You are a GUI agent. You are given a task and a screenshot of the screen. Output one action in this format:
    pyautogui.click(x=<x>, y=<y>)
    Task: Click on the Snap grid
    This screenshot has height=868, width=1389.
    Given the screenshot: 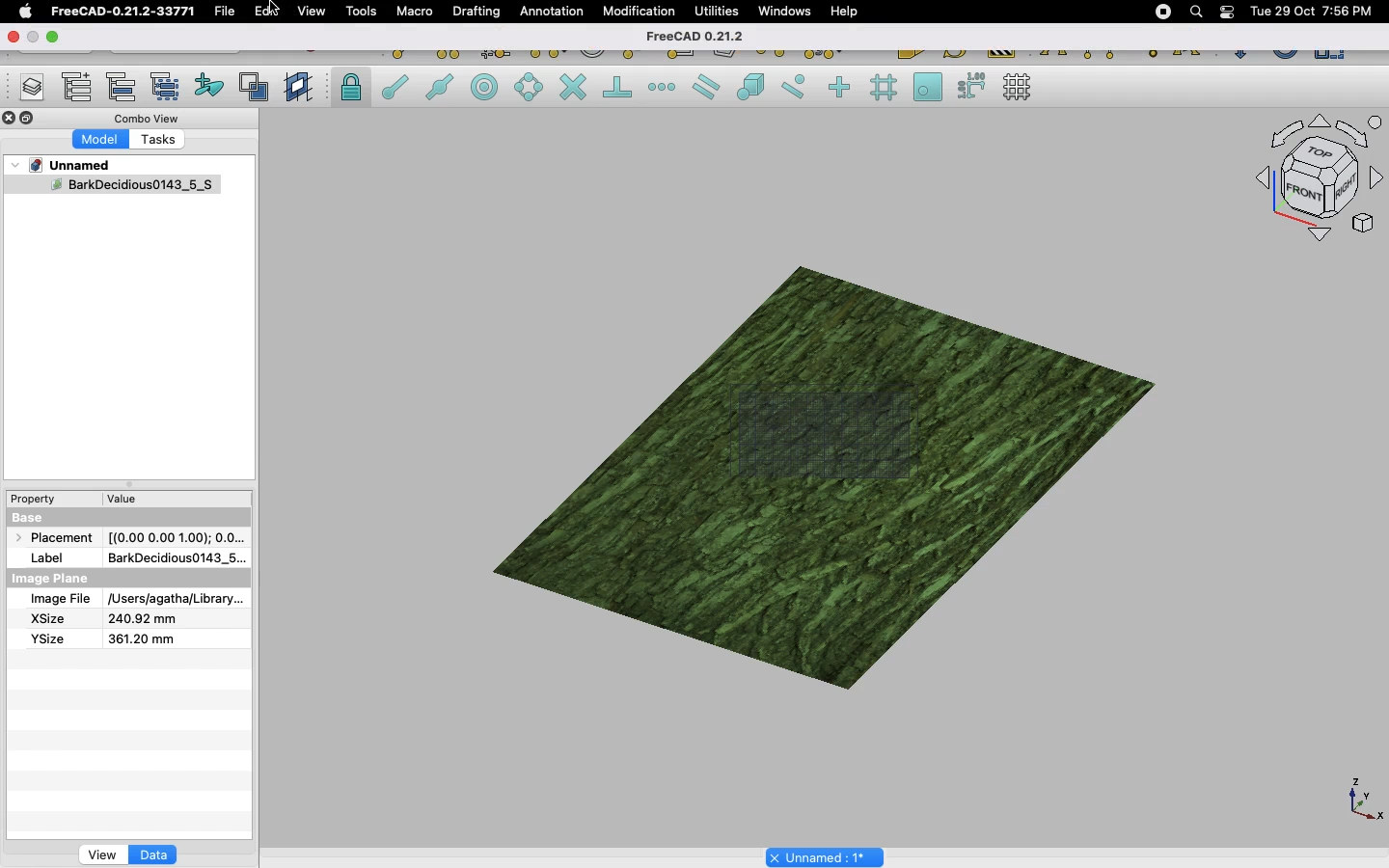 What is the action you would take?
    pyautogui.click(x=885, y=88)
    